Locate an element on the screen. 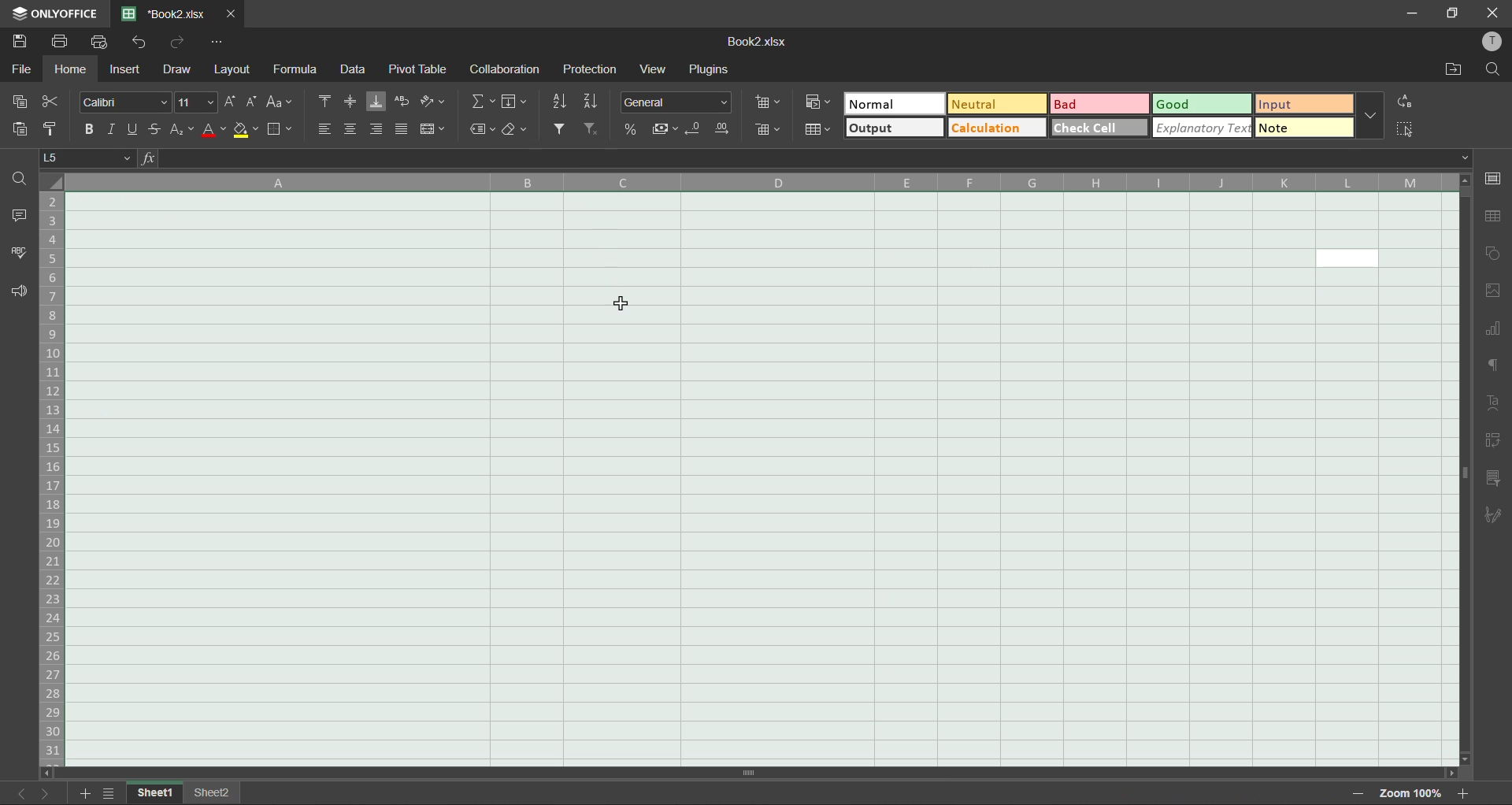 The image size is (1512, 805). sort descending is located at coordinates (596, 102).